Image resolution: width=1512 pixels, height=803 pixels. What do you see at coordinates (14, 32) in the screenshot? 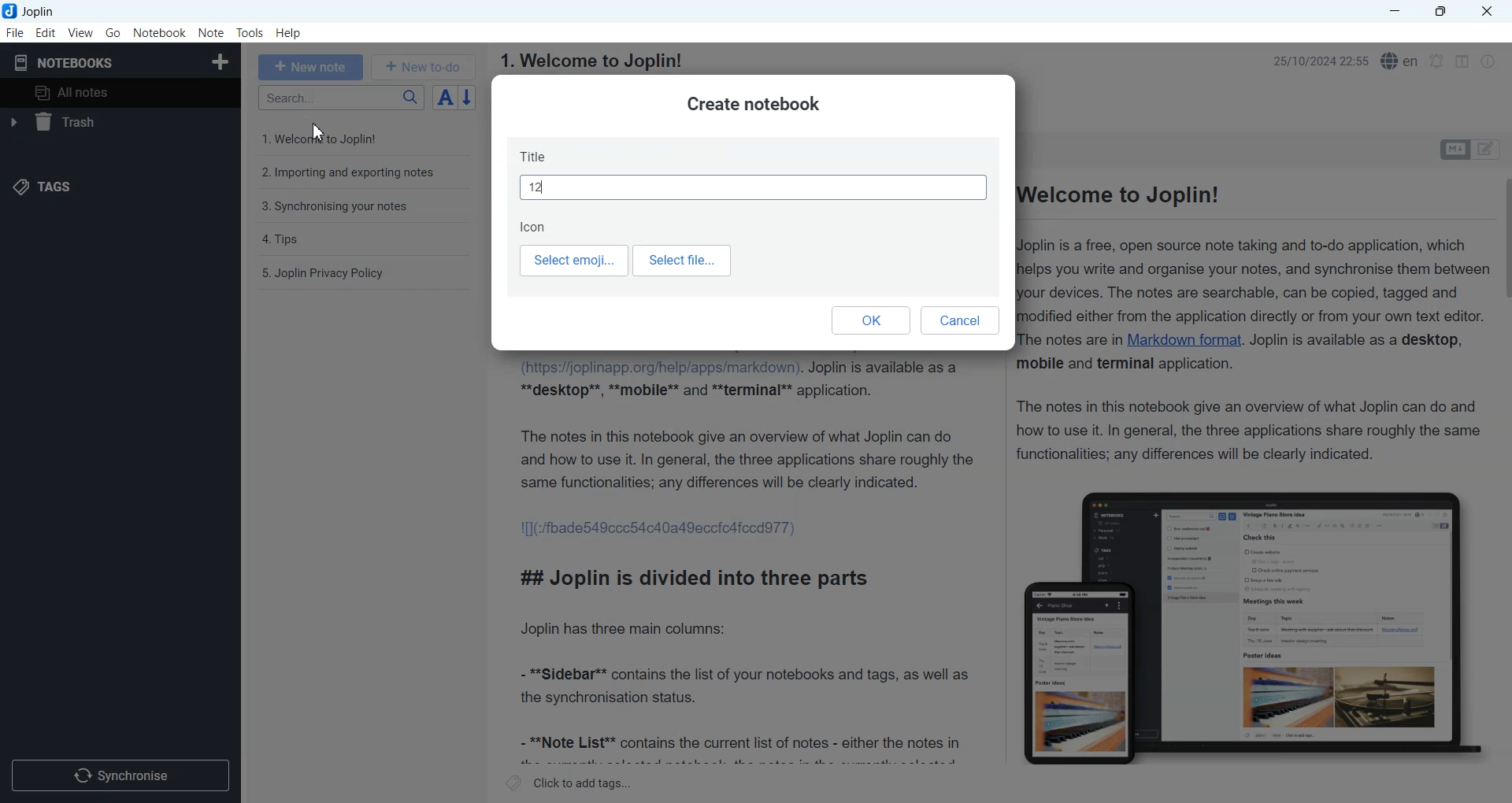
I see `File ` at bounding box center [14, 32].